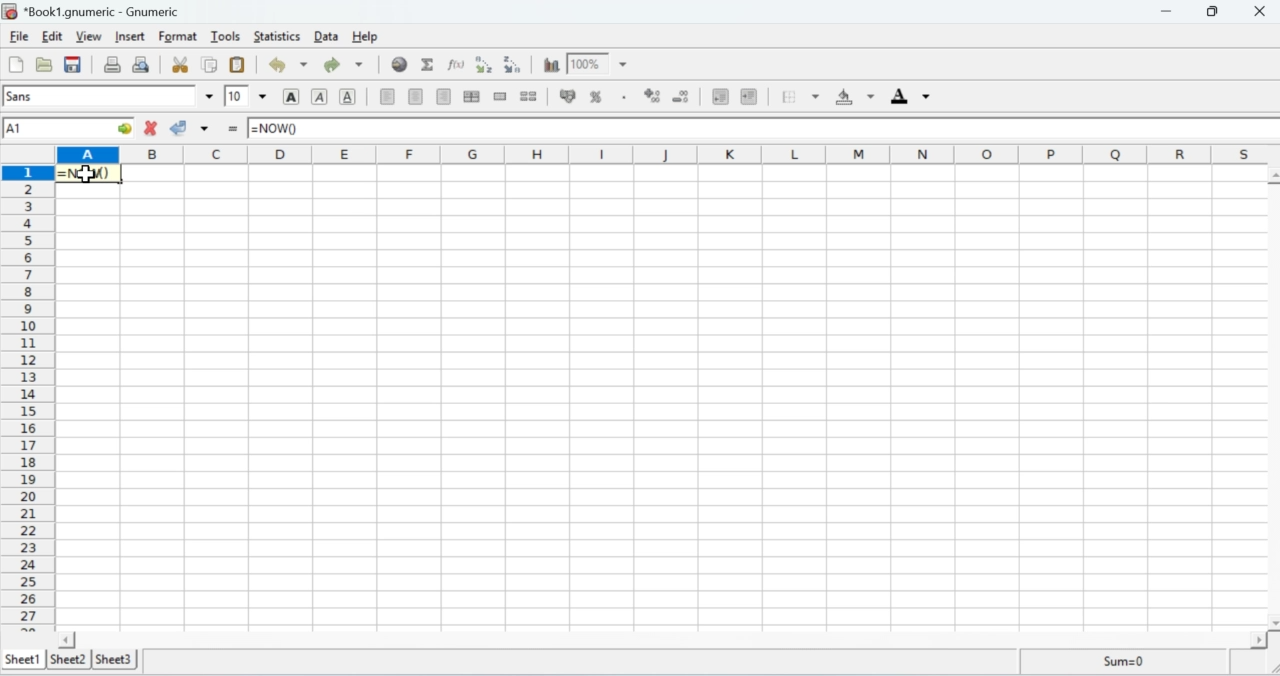 This screenshot has height=676, width=1280. Describe the element at coordinates (74, 64) in the screenshot. I see `Save the current workbook` at that location.